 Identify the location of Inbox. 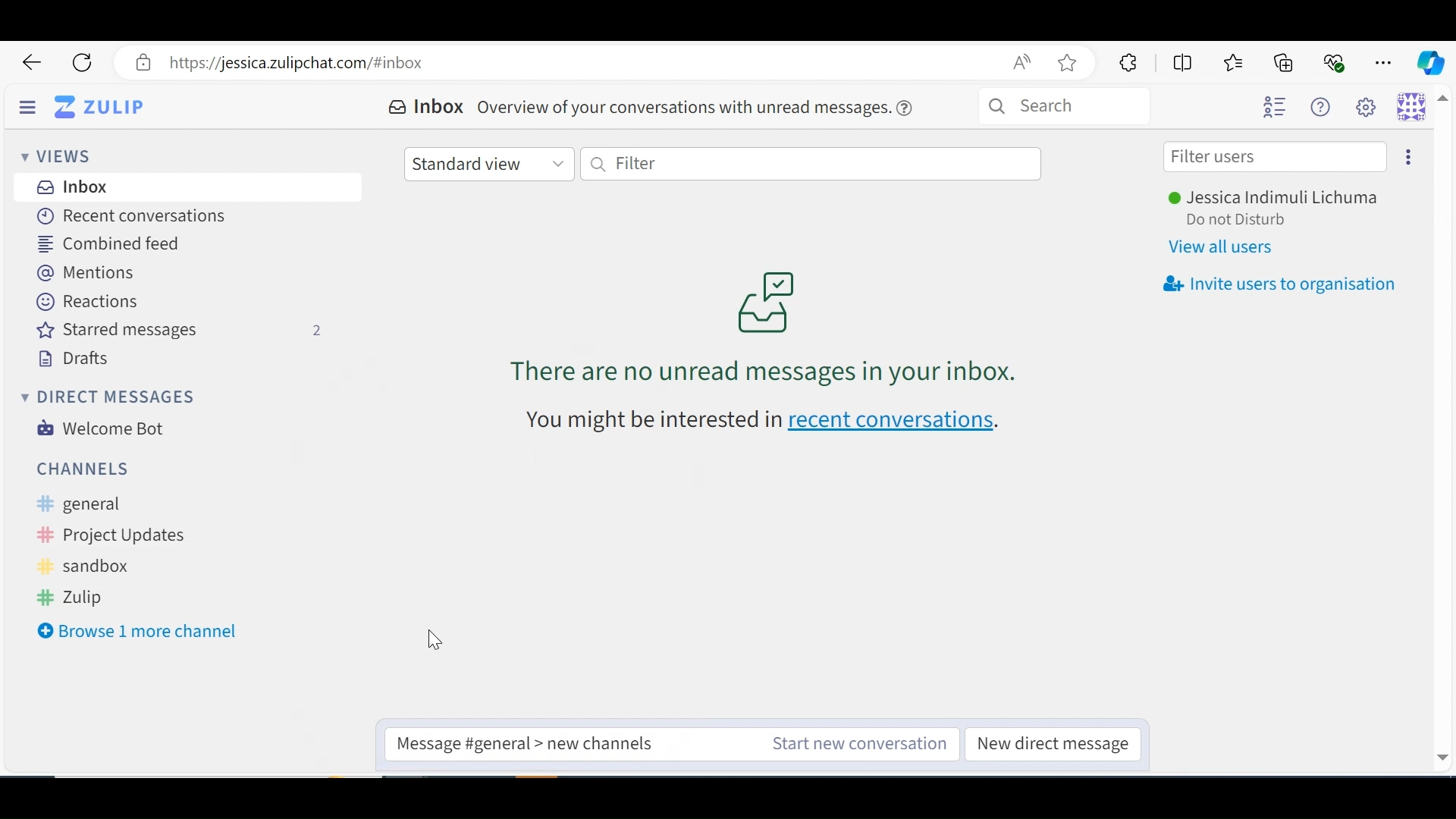
(74, 187).